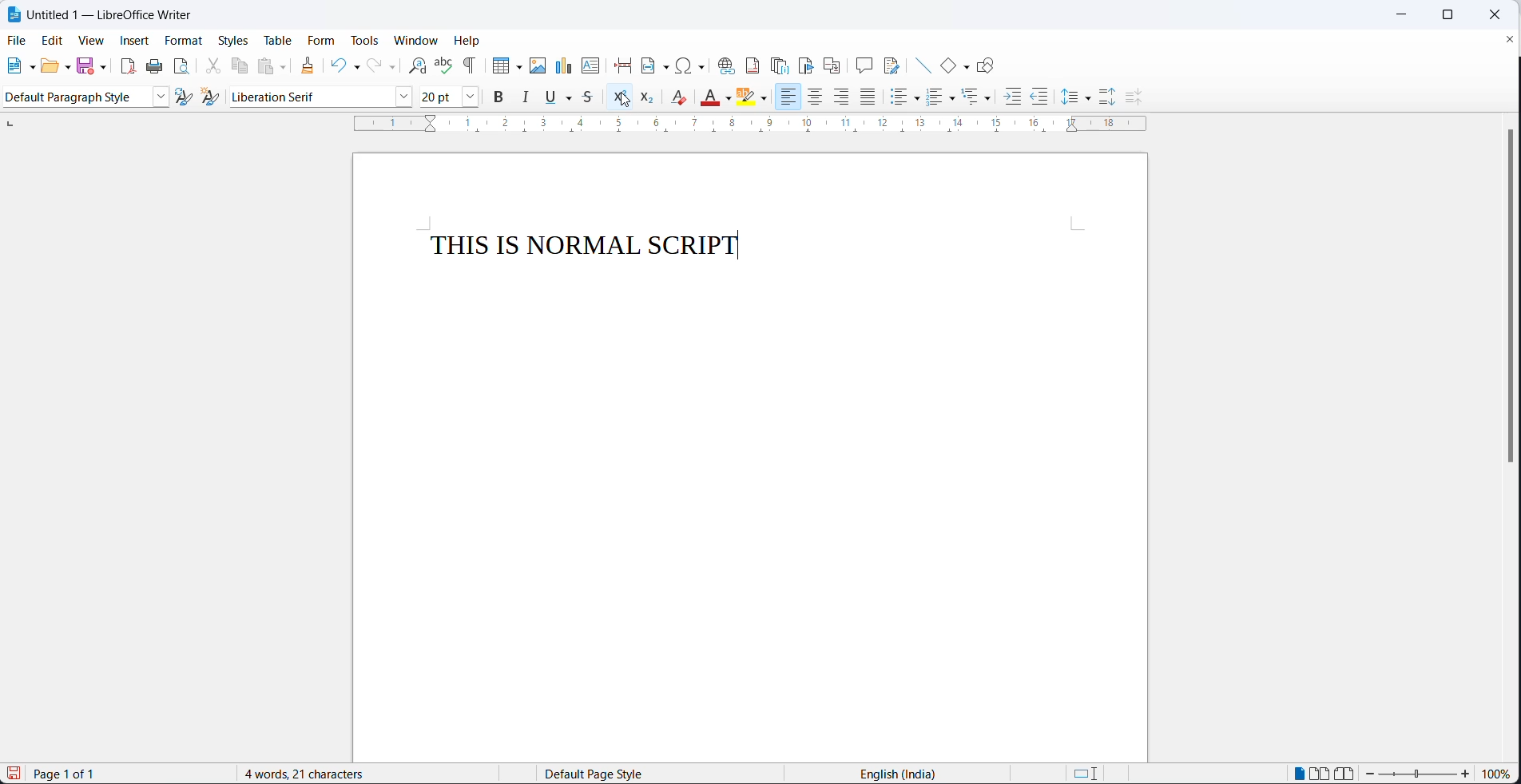  What do you see at coordinates (311, 97) in the screenshot?
I see `font name` at bounding box center [311, 97].